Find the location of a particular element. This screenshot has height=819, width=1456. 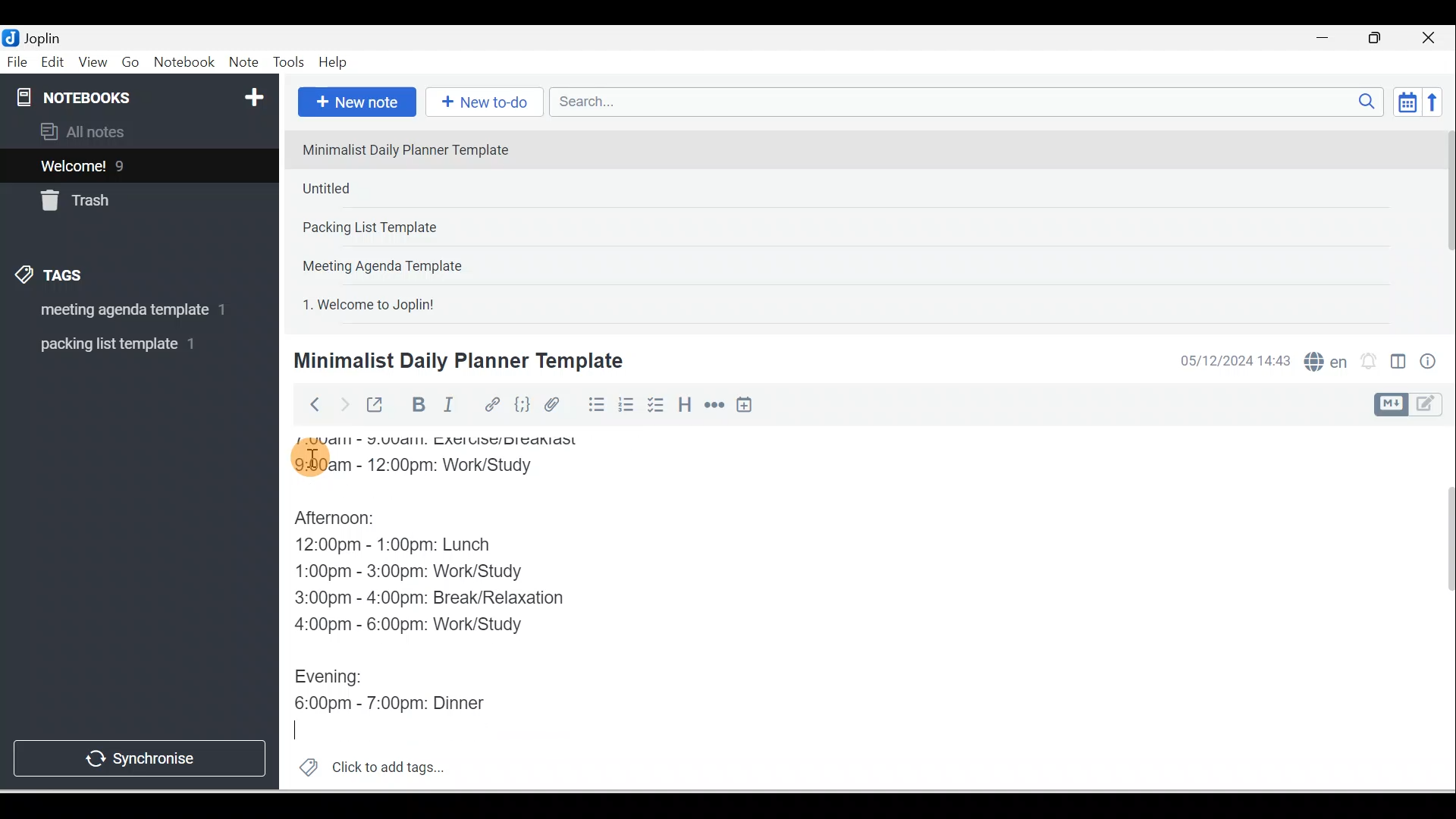

Help is located at coordinates (334, 63).